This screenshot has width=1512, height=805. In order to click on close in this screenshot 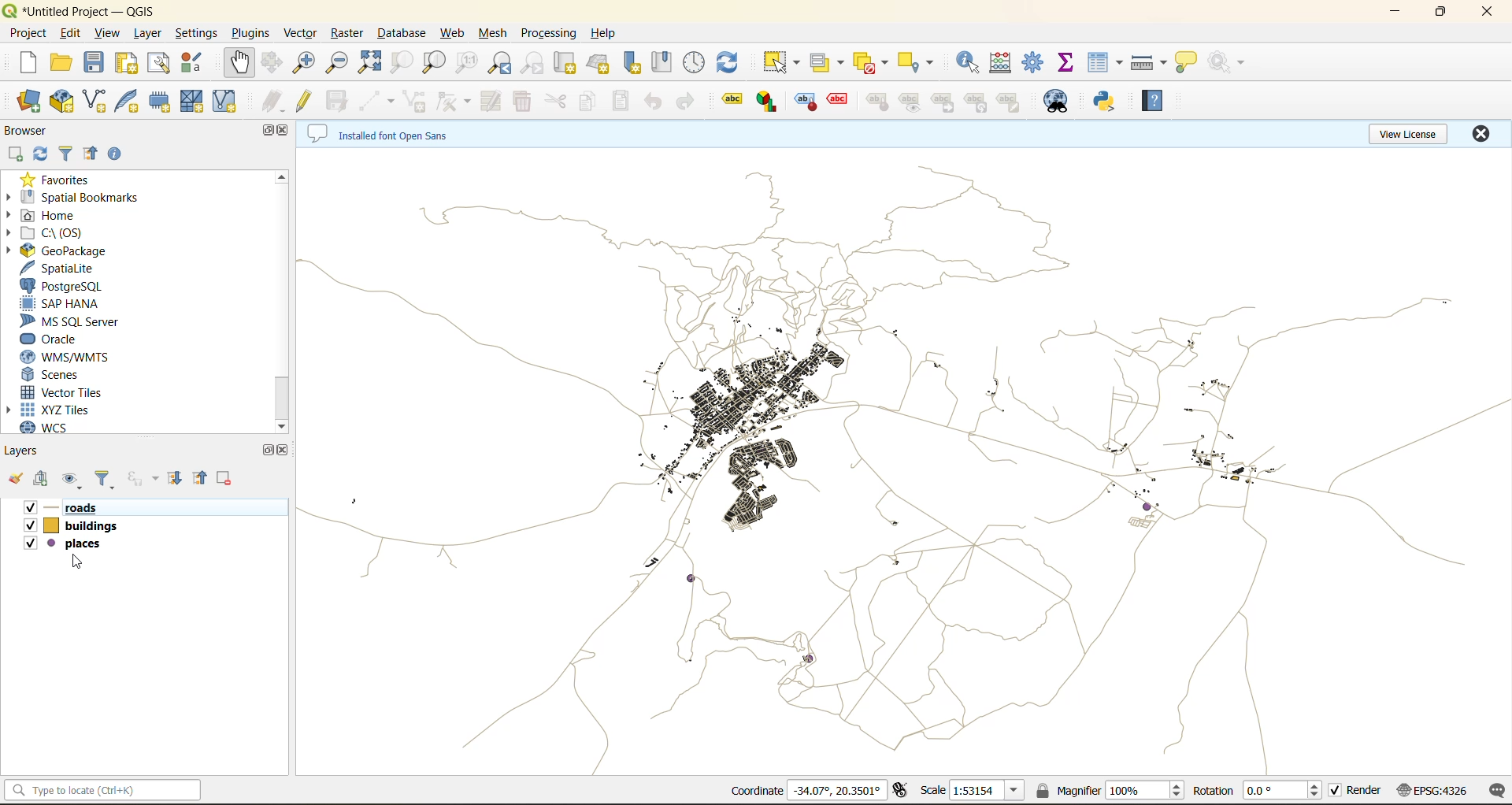, I will do `click(283, 454)`.